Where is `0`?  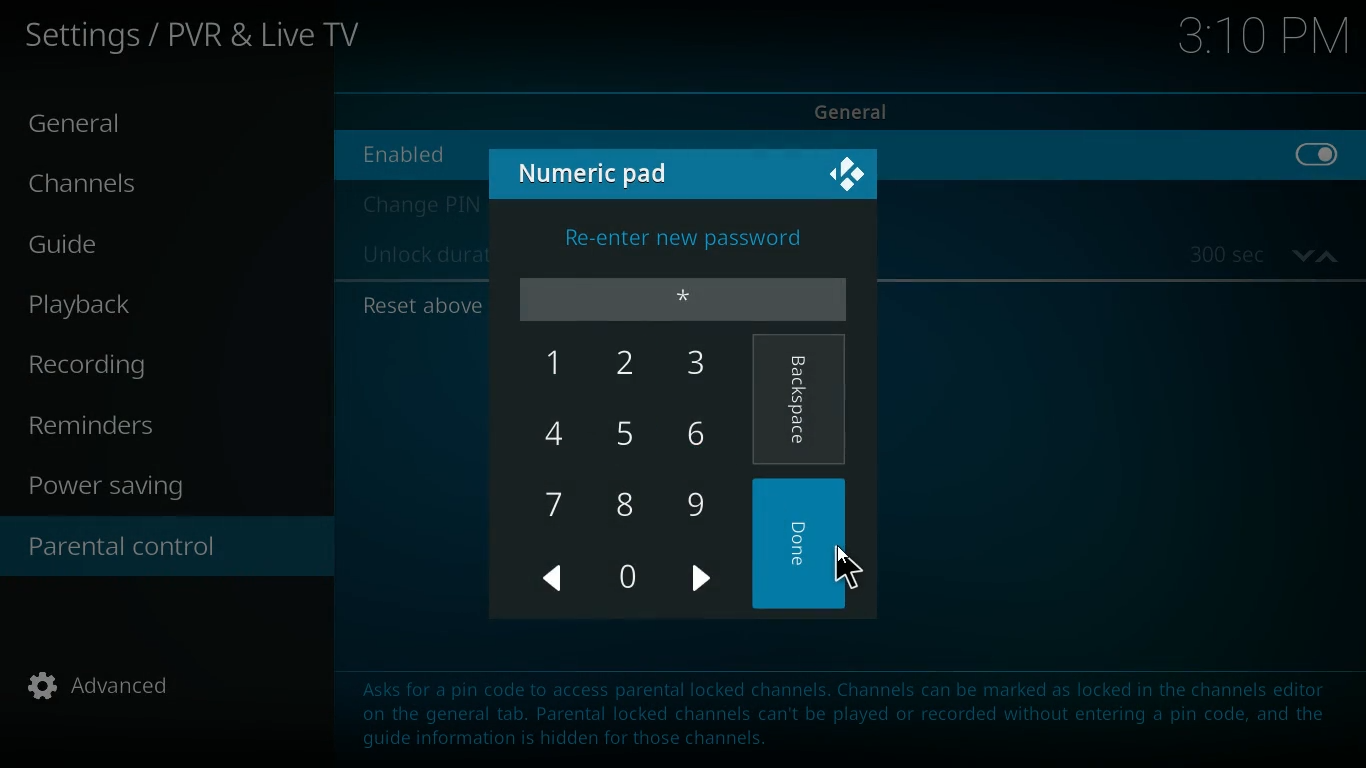
0 is located at coordinates (627, 578).